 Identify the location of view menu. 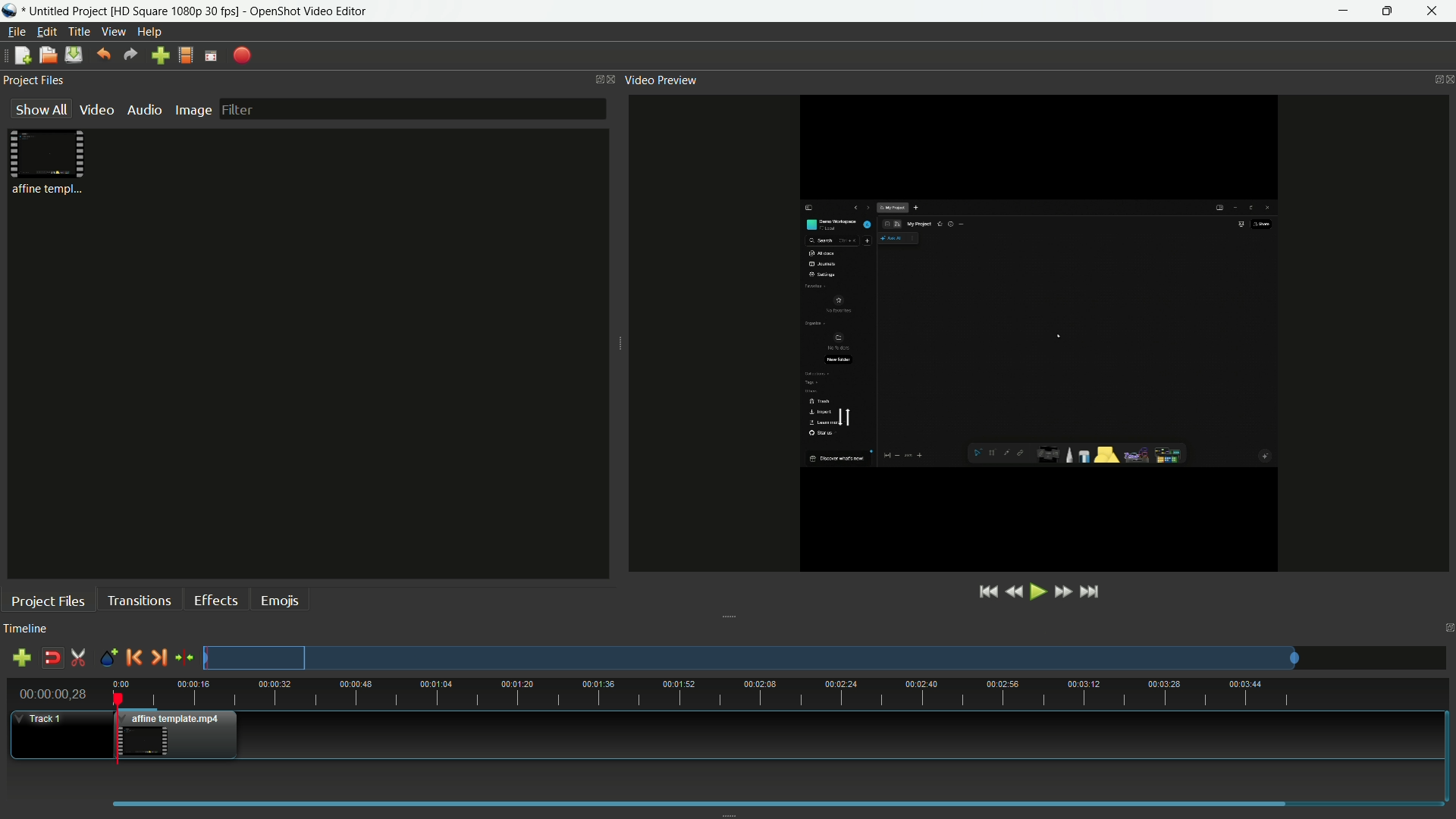
(114, 32).